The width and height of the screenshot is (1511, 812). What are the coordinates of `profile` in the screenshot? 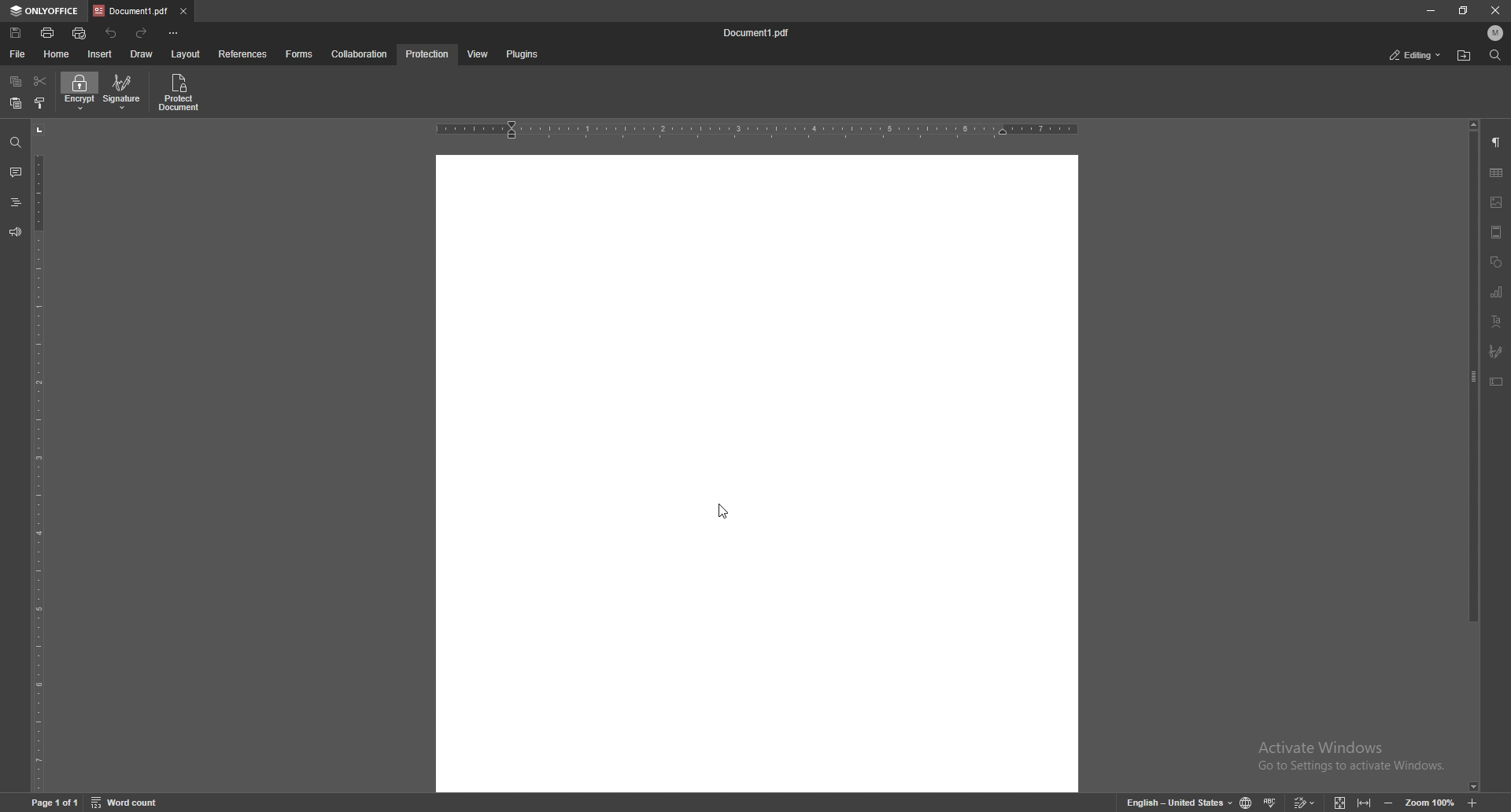 It's located at (1493, 33).